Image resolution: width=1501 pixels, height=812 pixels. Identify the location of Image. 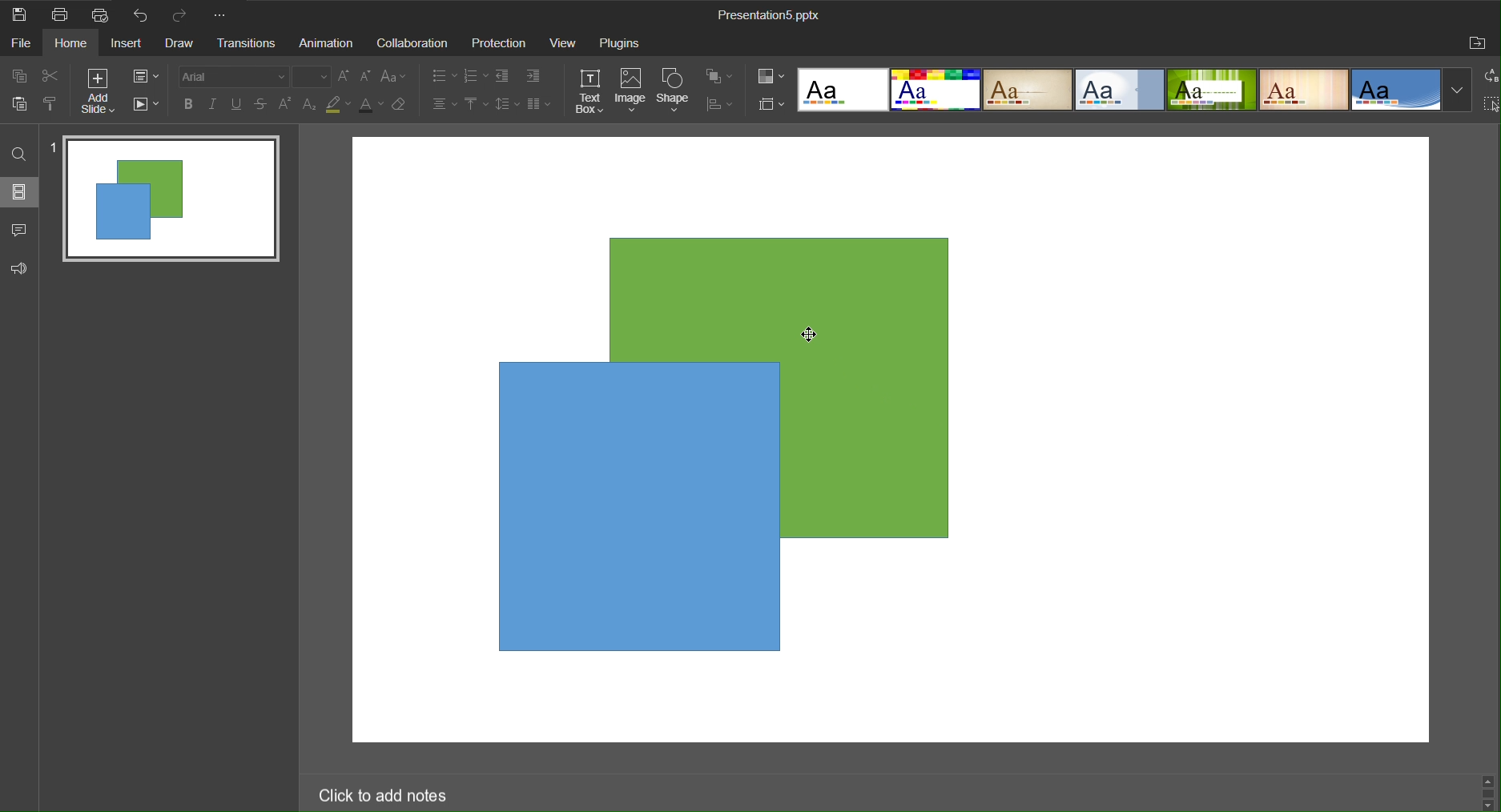
(631, 90).